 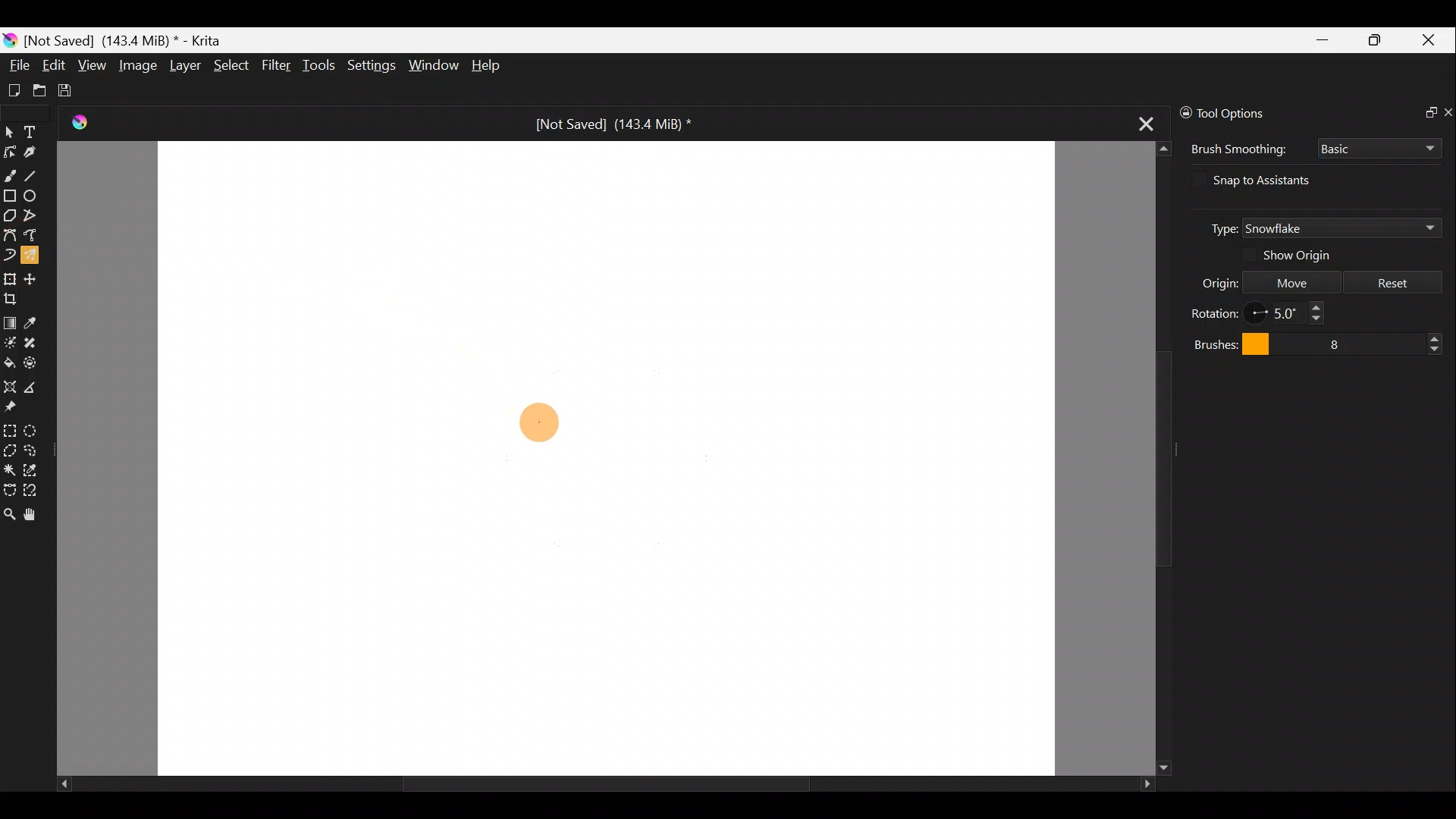 What do you see at coordinates (33, 278) in the screenshot?
I see `Move a layer` at bounding box center [33, 278].